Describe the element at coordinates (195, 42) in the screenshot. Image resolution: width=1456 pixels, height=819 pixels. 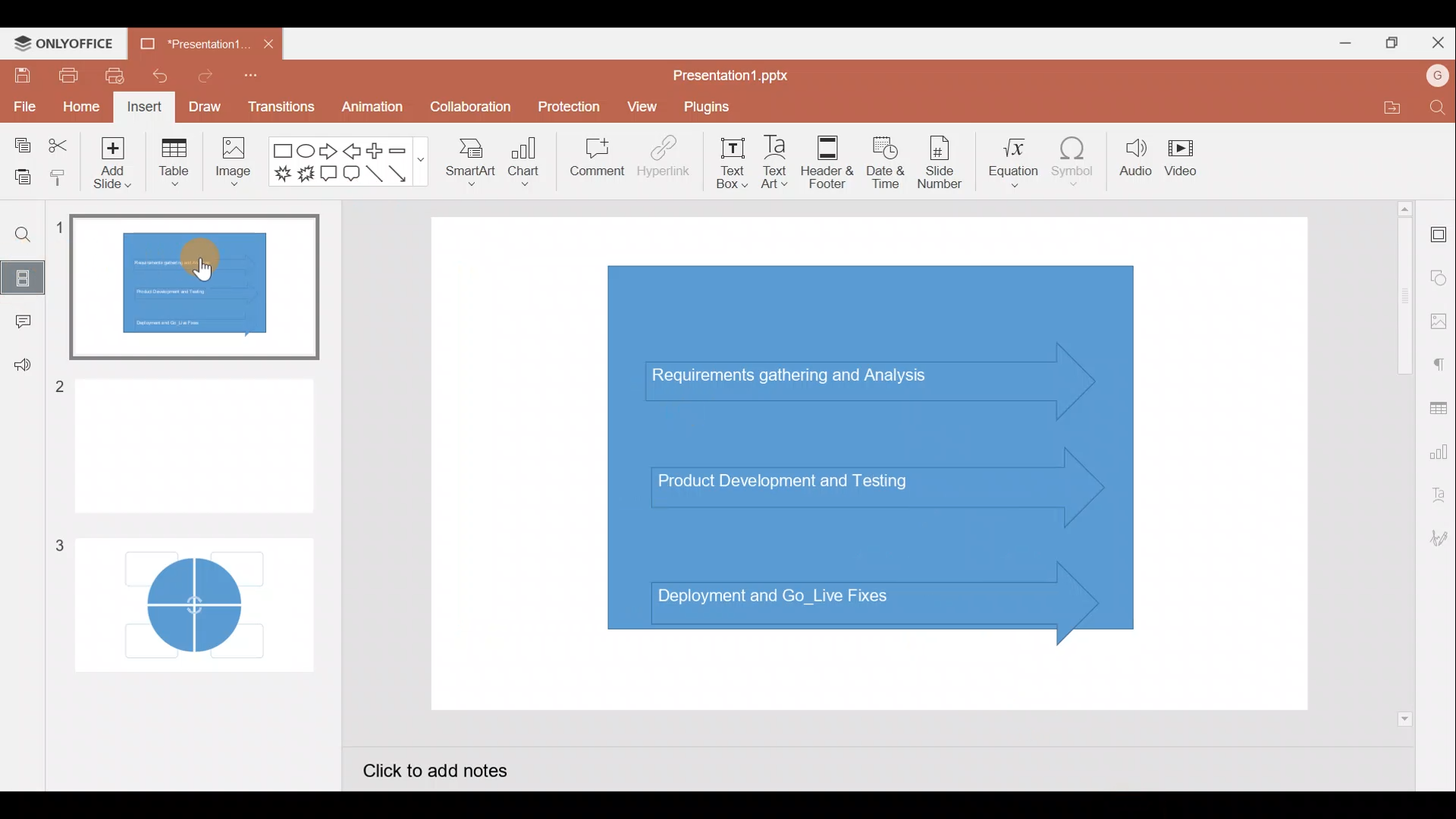
I see `Presentation1...` at that location.